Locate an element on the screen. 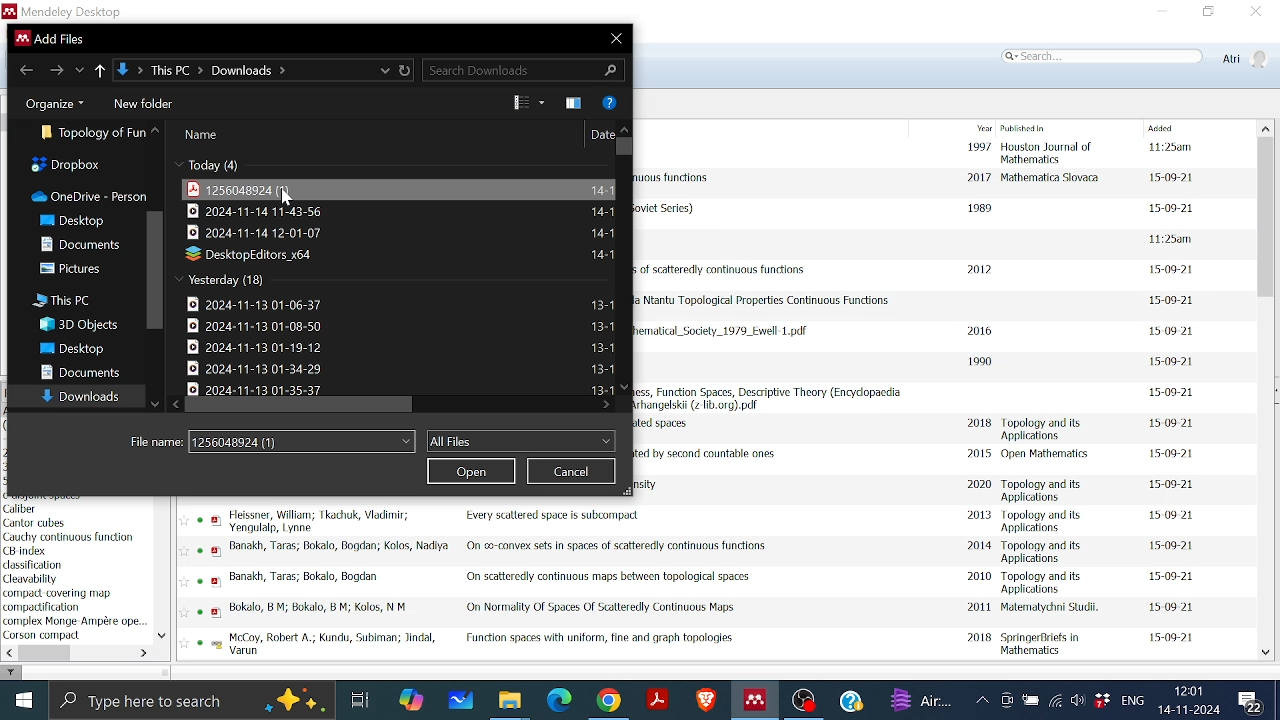 This screenshot has width=1280, height=720. File is located at coordinates (256, 368).